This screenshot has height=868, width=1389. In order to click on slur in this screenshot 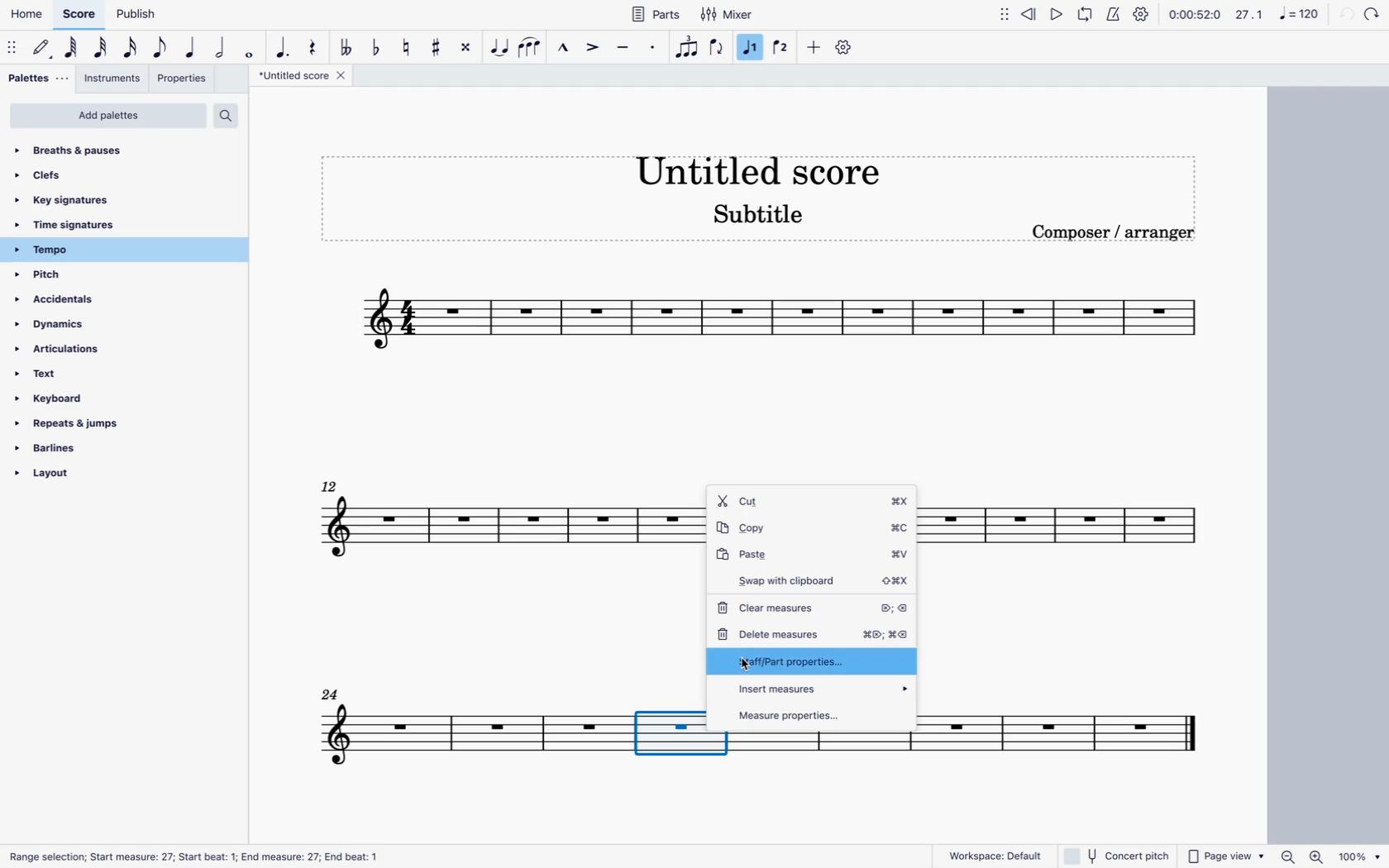, I will do `click(532, 48)`.